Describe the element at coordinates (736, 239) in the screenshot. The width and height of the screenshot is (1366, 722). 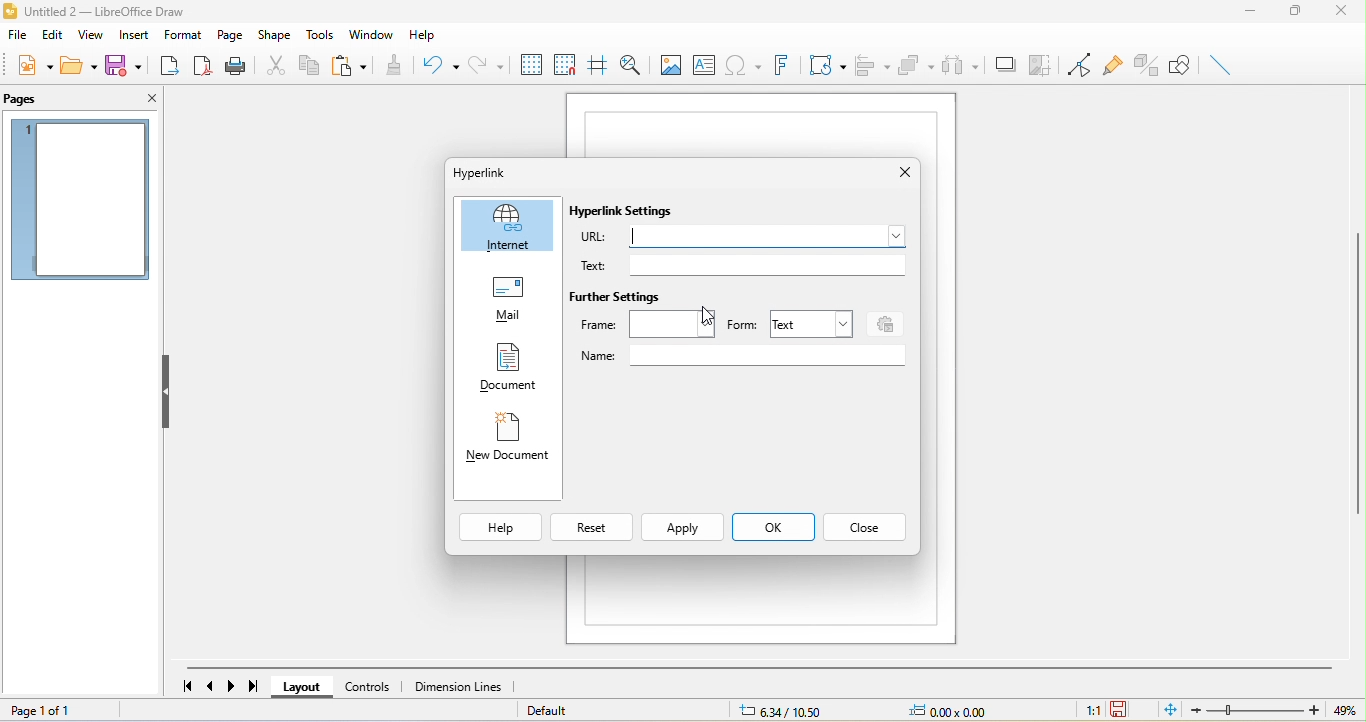
I see `url` at that location.